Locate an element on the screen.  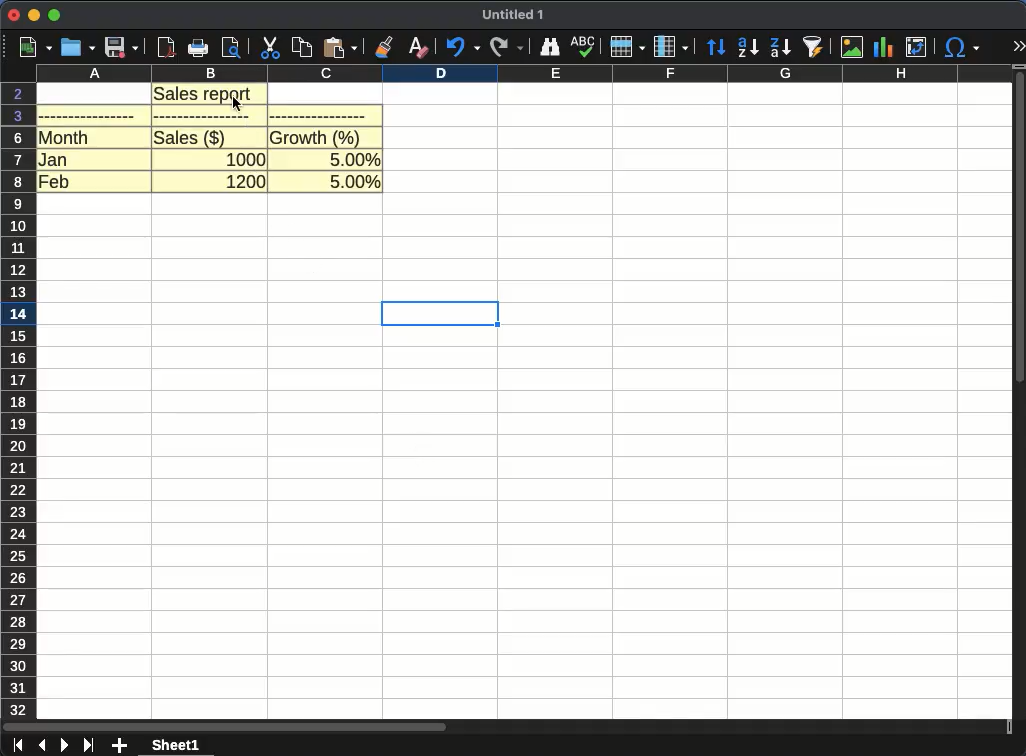
save is located at coordinates (122, 47).